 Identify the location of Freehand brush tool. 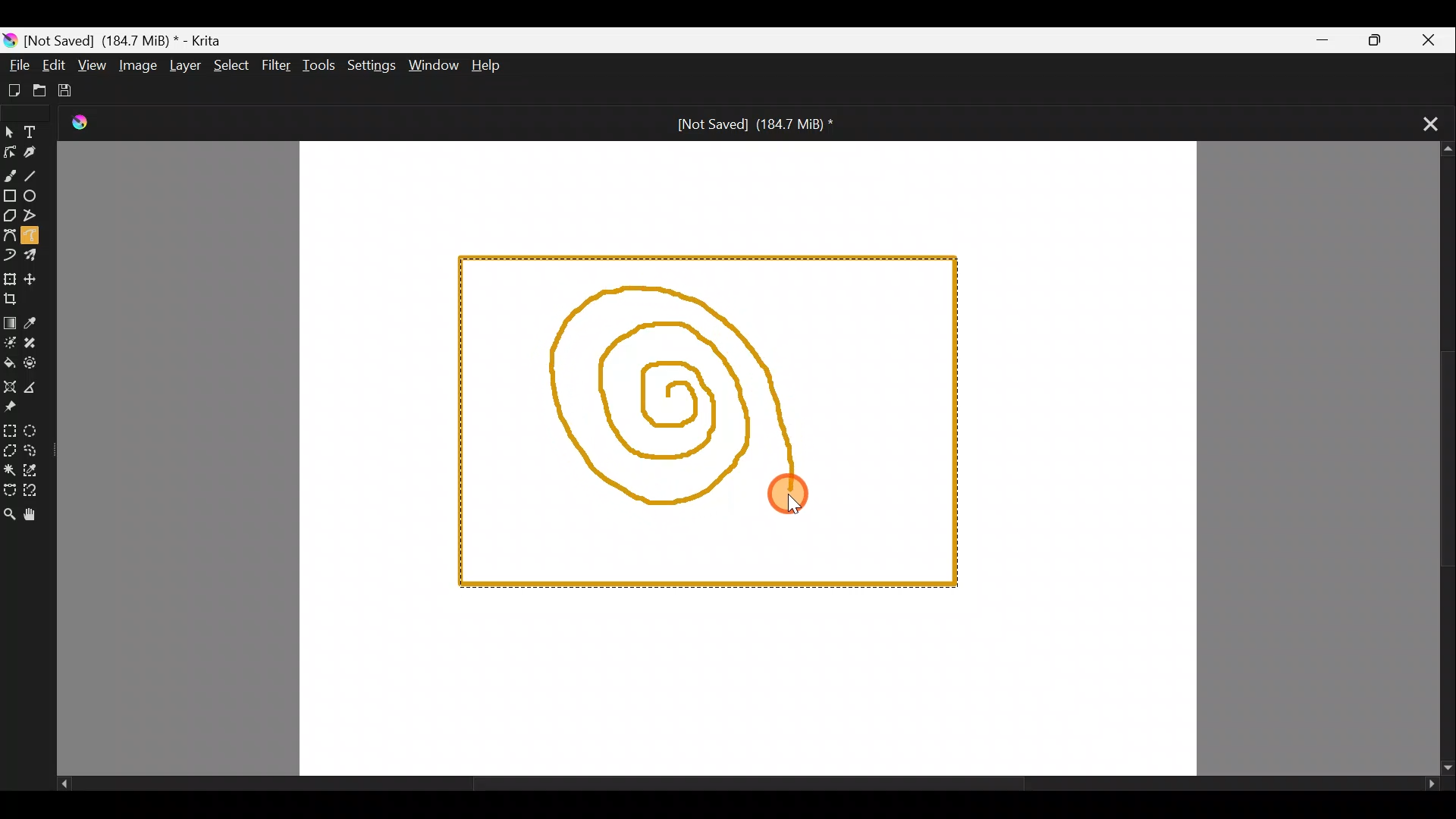
(9, 175).